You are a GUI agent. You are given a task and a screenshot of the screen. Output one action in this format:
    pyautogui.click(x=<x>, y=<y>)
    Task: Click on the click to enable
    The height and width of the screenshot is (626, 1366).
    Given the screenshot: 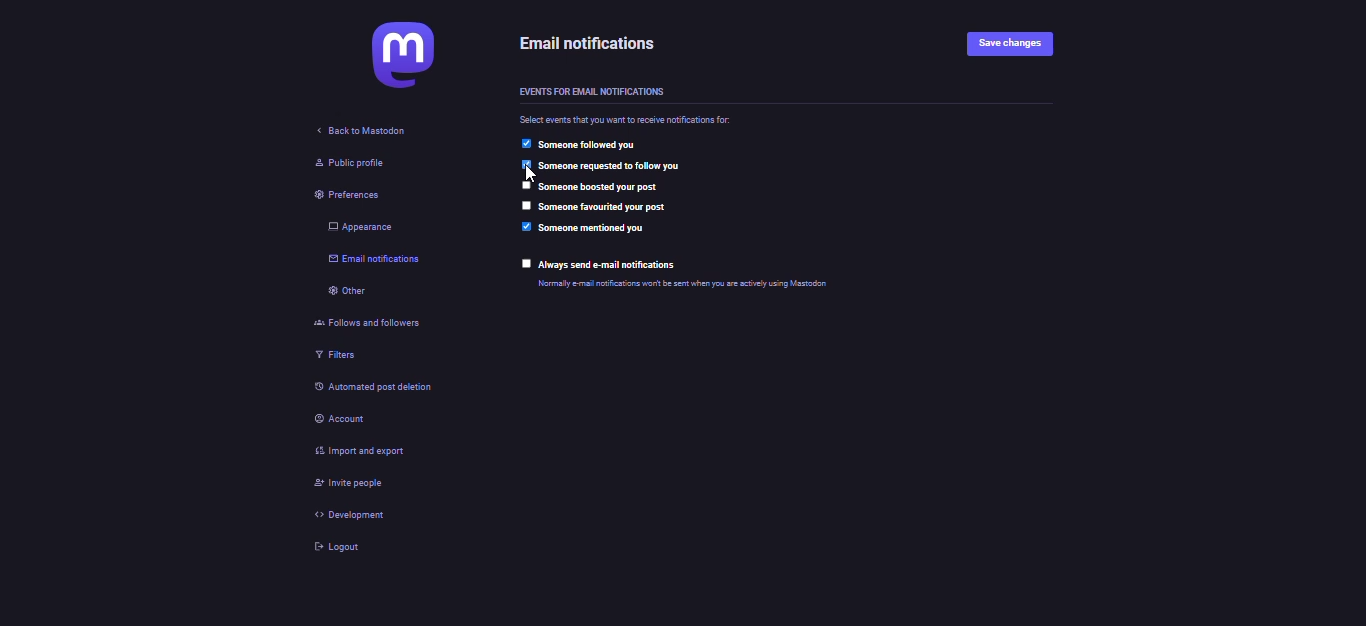 What is the action you would take?
    pyautogui.click(x=525, y=264)
    